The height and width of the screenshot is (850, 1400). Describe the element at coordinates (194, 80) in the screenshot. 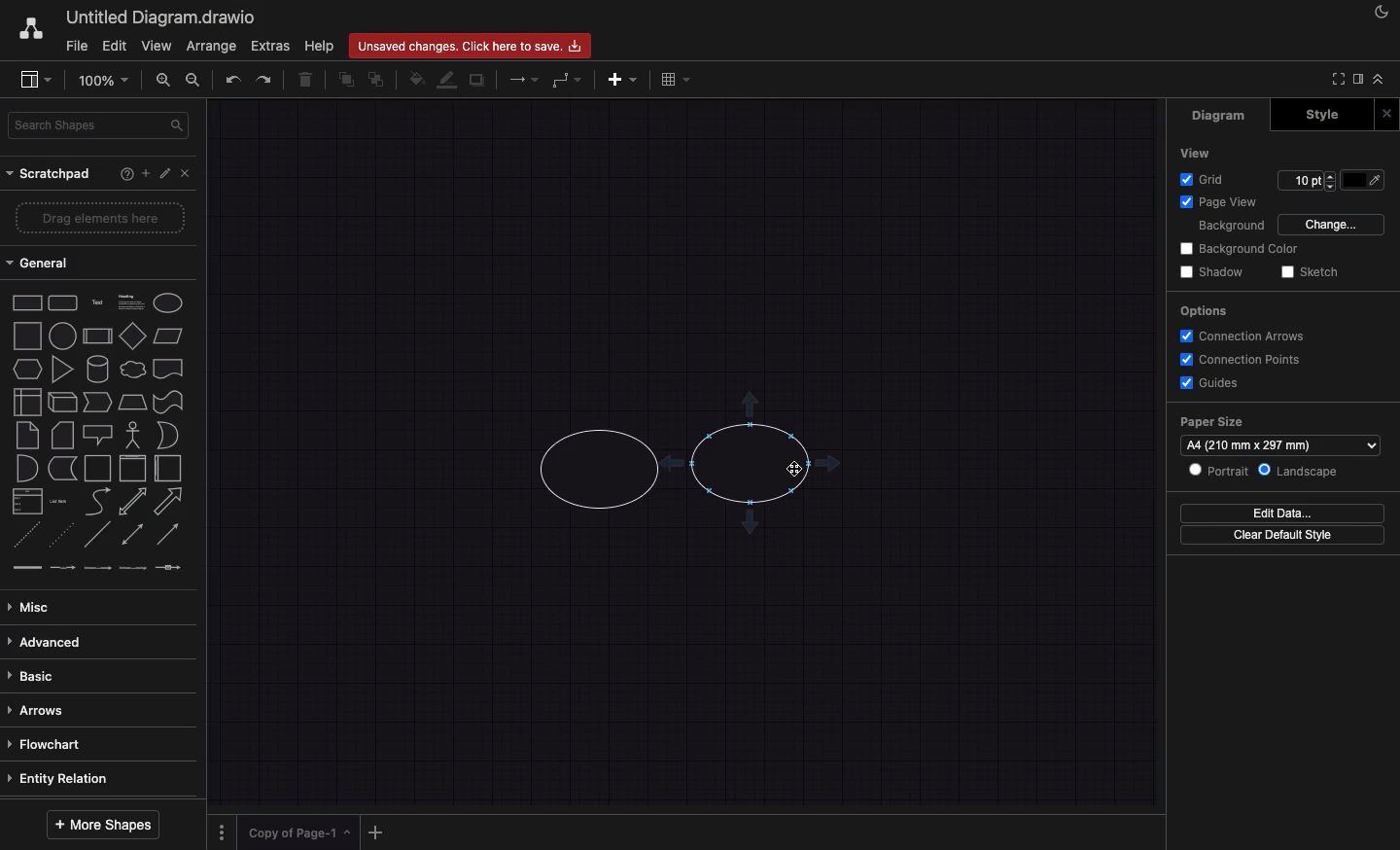

I see `zoom out` at that location.